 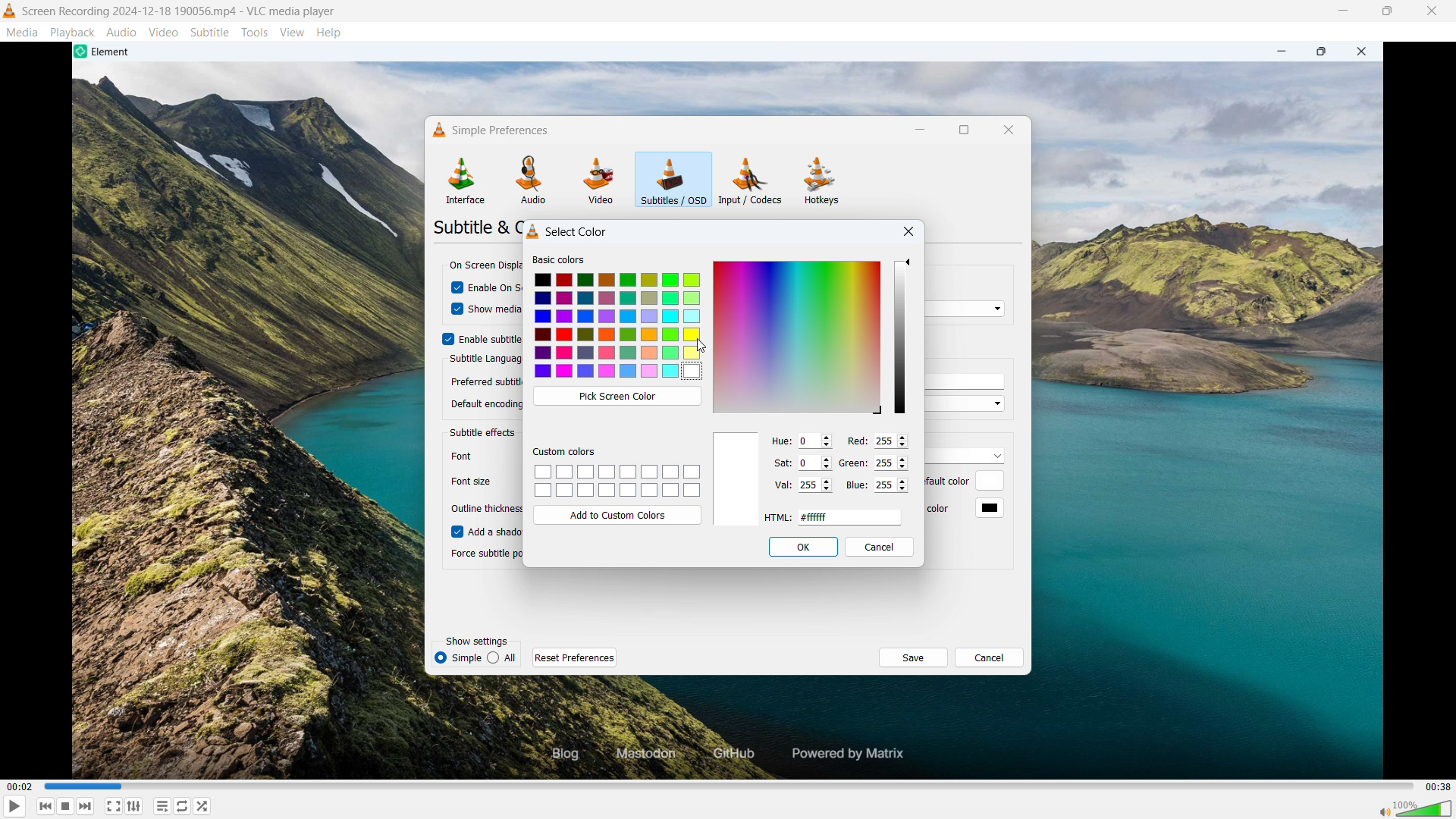 I want to click on Selected colour preview , so click(x=738, y=479).